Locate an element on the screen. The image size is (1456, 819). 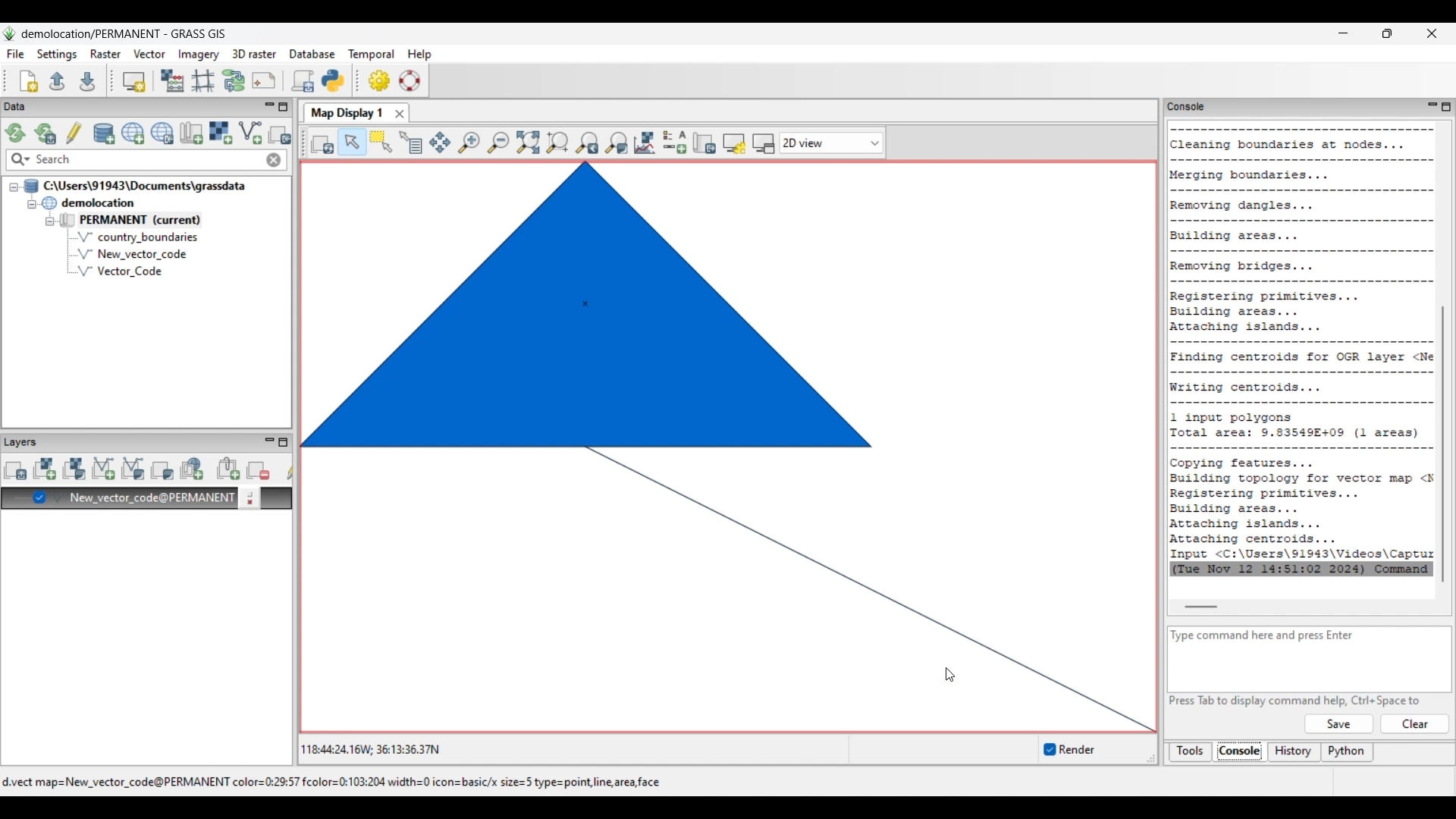
Pointer, current highlighted selection is located at coordinates (352, 143).